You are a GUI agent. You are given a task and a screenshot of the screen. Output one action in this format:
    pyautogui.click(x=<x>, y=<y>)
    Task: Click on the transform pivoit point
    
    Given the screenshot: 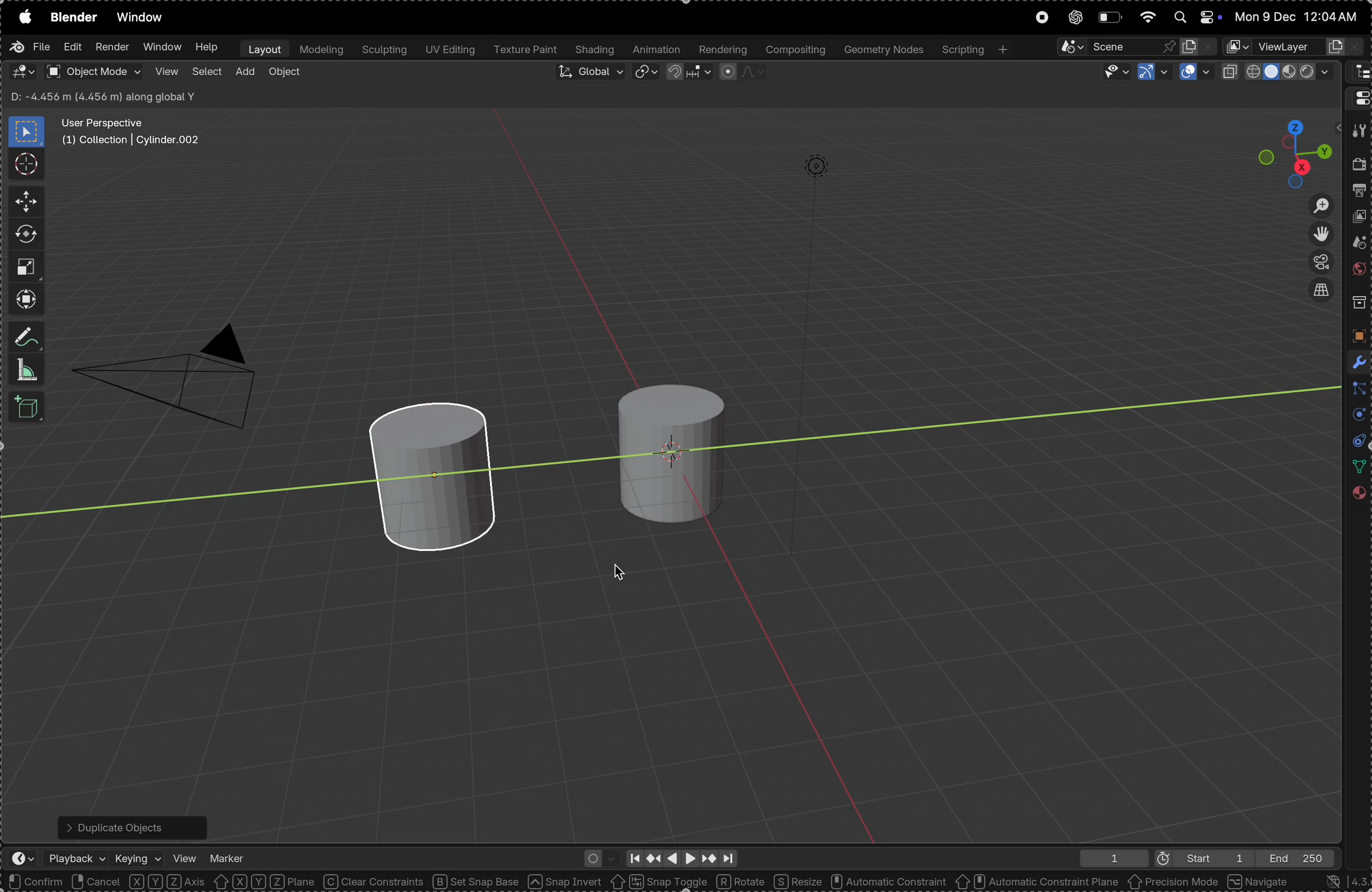 What is the action you would take?
    pyautogui.click(x=647, y=73)
    